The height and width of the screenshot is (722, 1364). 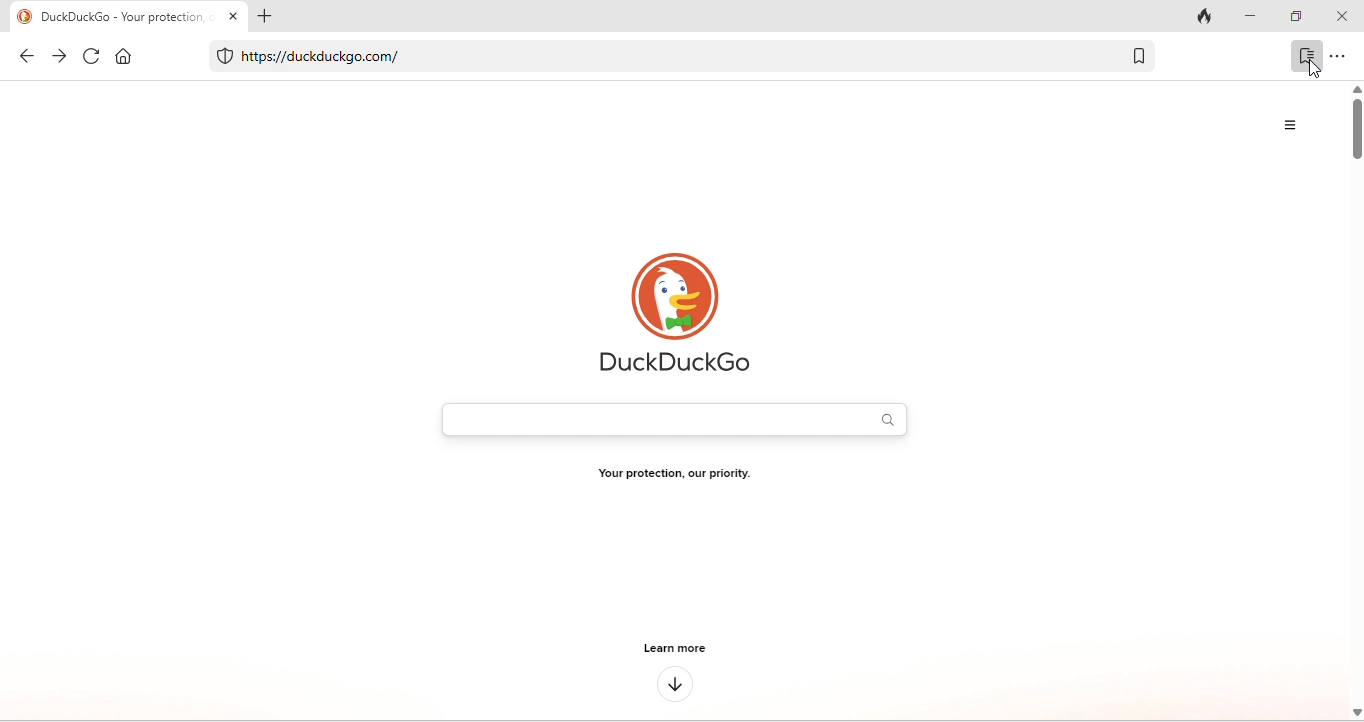 I want to click on vertical scroll bar, so click(x=1355, y=122).